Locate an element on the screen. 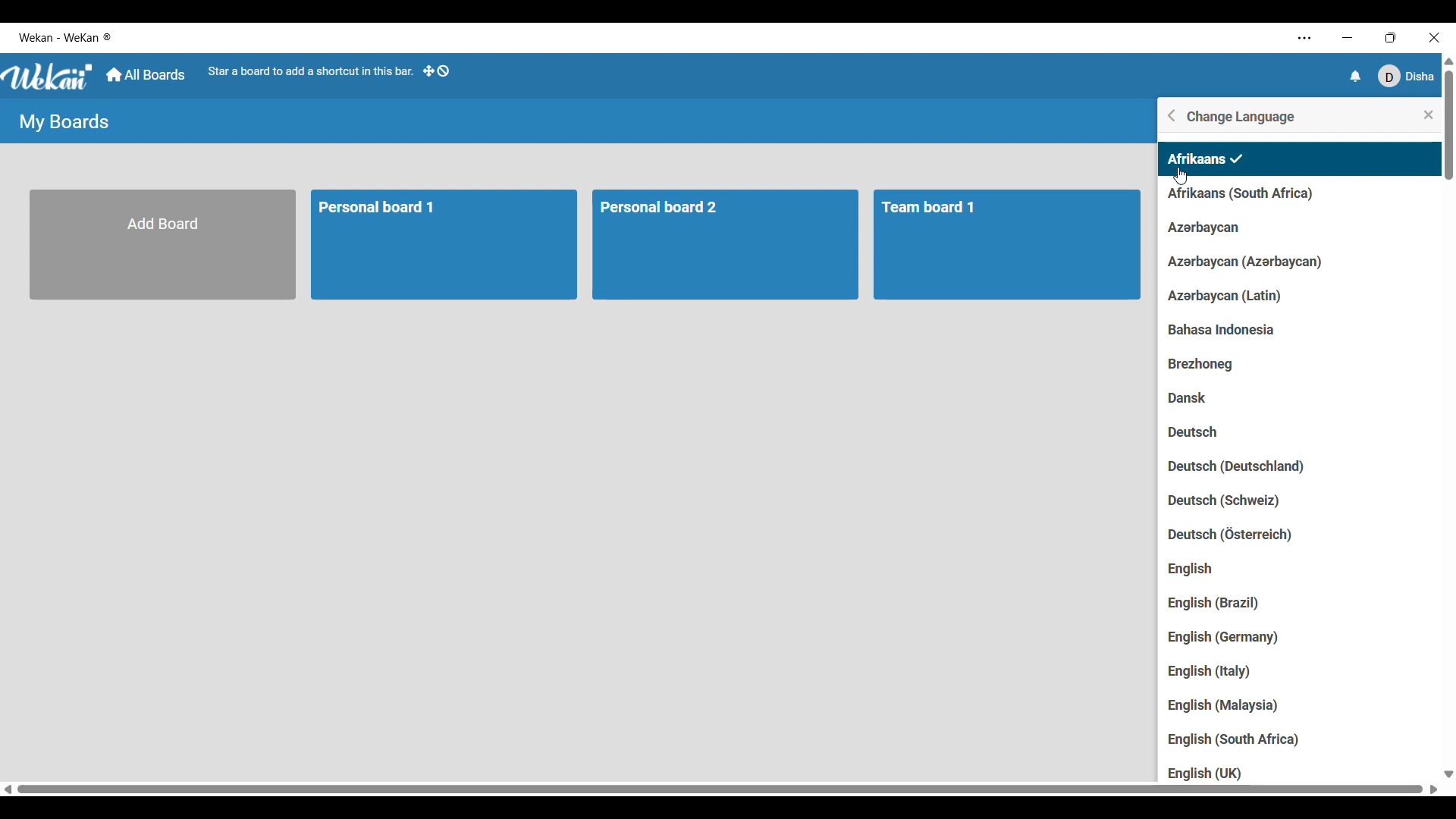 The height and width of the screenshot is (819, 1456). English (Brazil) is located at coordinates (1227, 604).